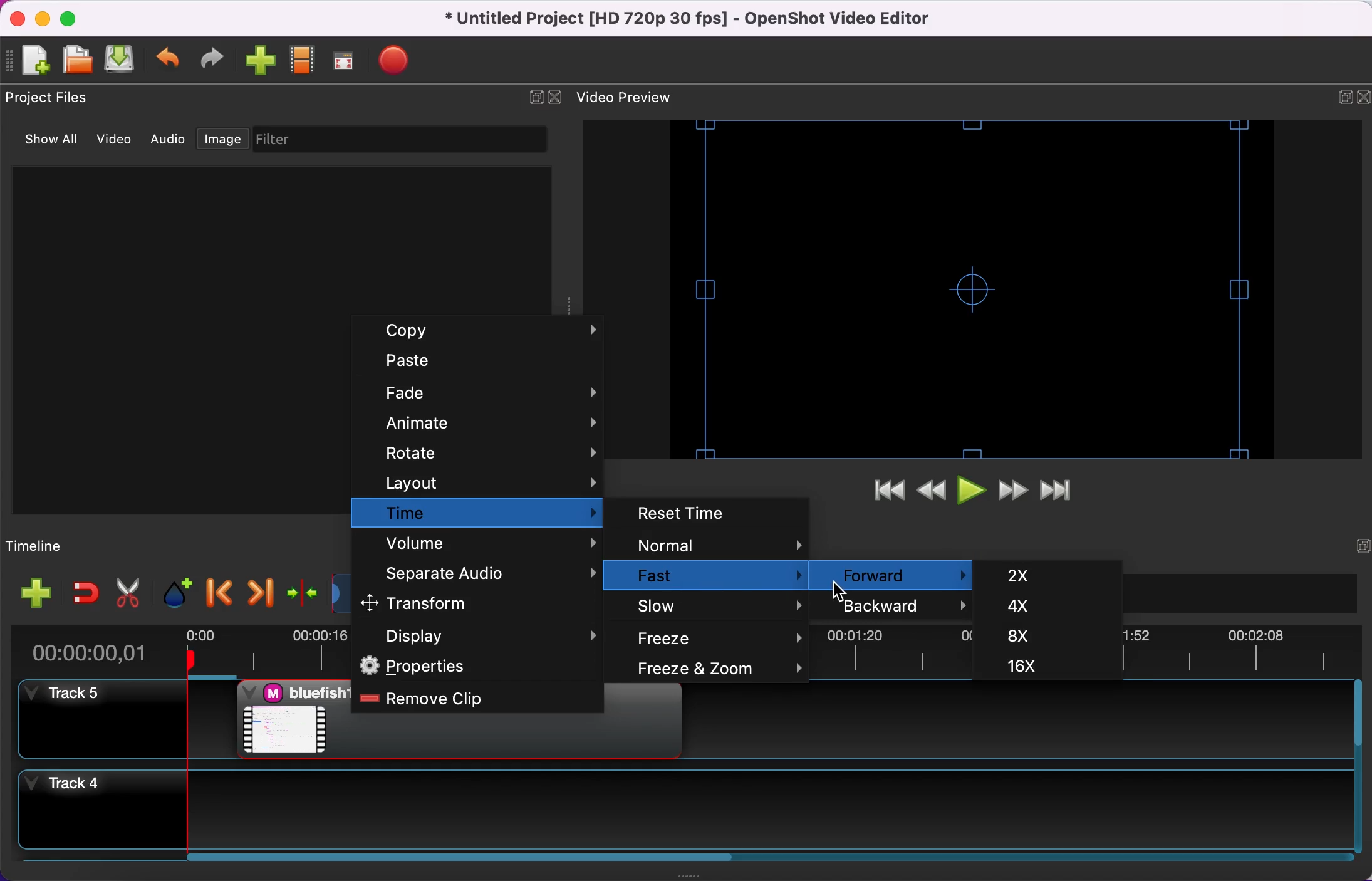 This screenshot has width=1372, height=881. I want to click on remove clip, so click(470, 699).